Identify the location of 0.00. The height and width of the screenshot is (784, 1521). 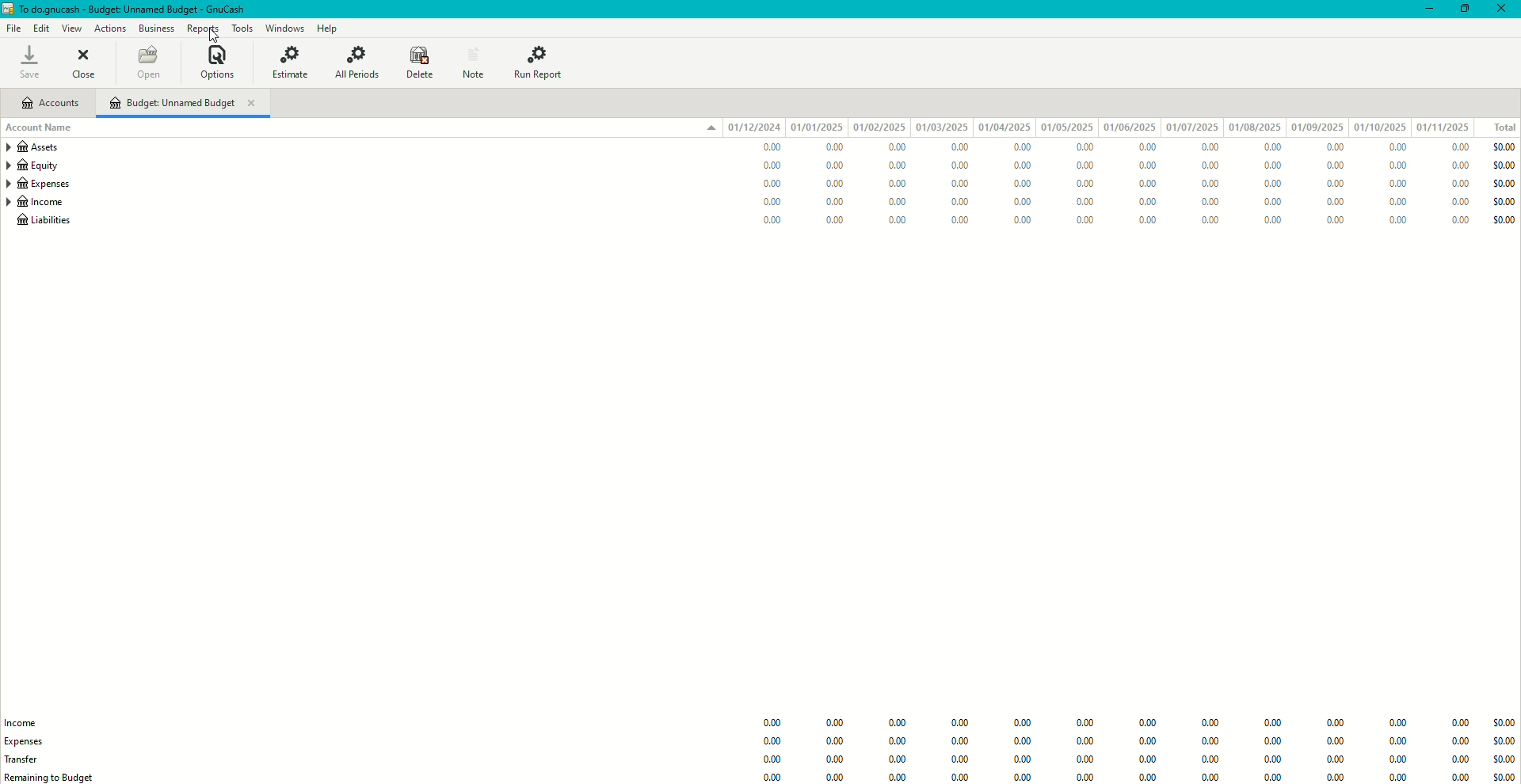
(1147, 165).